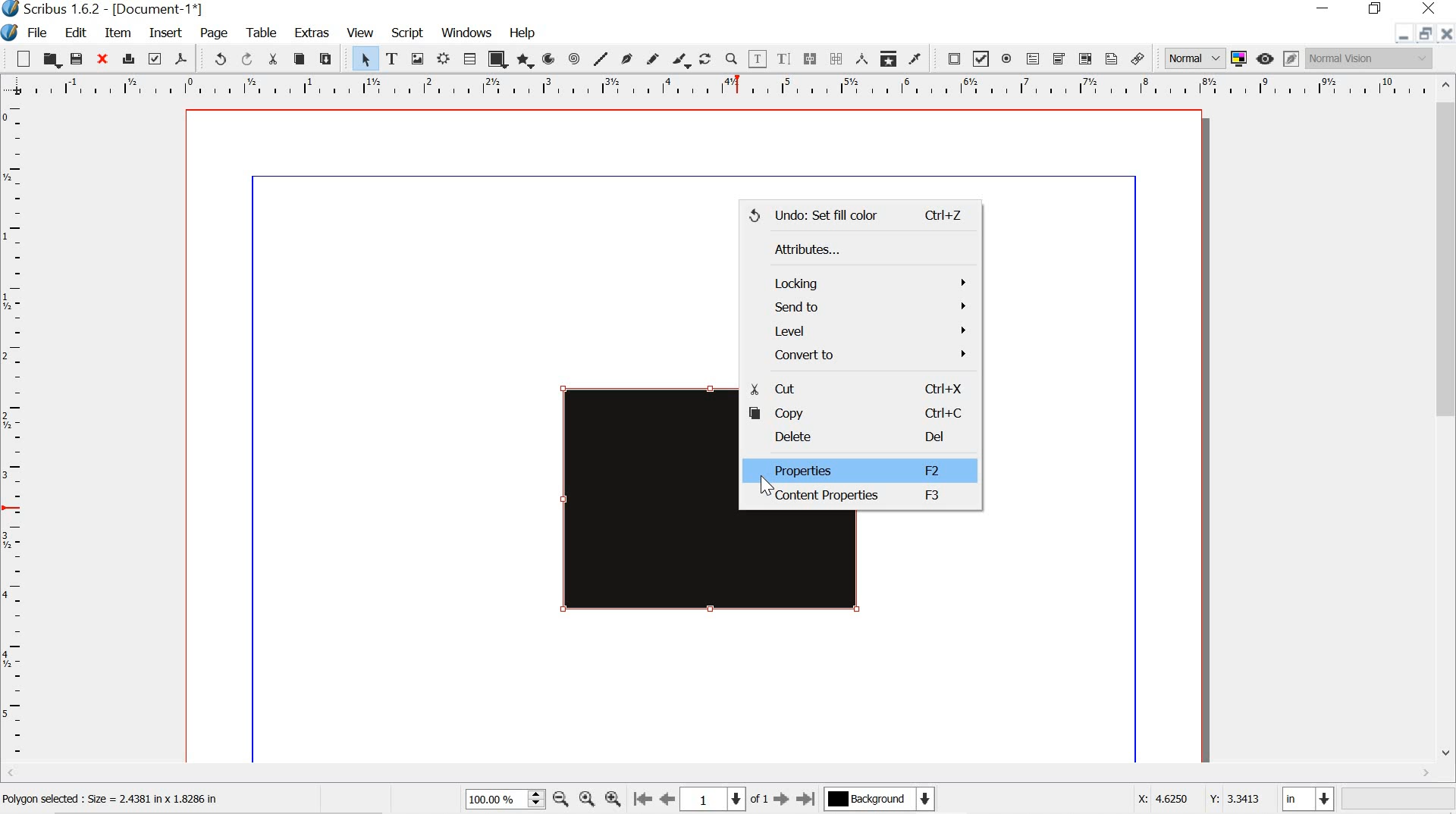  Describe the element at coordinates (858, 306) in the screenshot. I see `send to` at that location.